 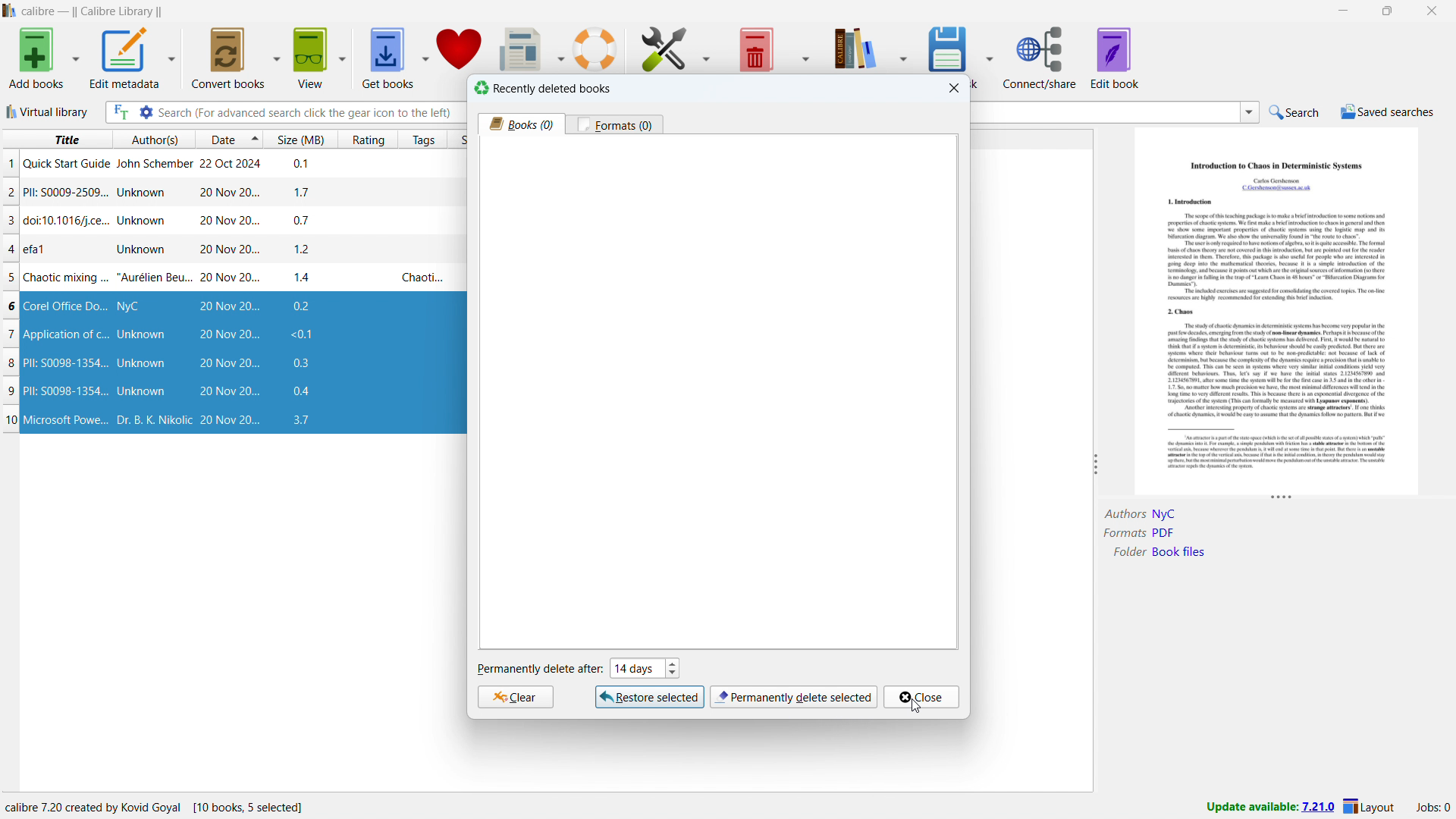 I want to click on advanced search, so click(x=146, y=112).